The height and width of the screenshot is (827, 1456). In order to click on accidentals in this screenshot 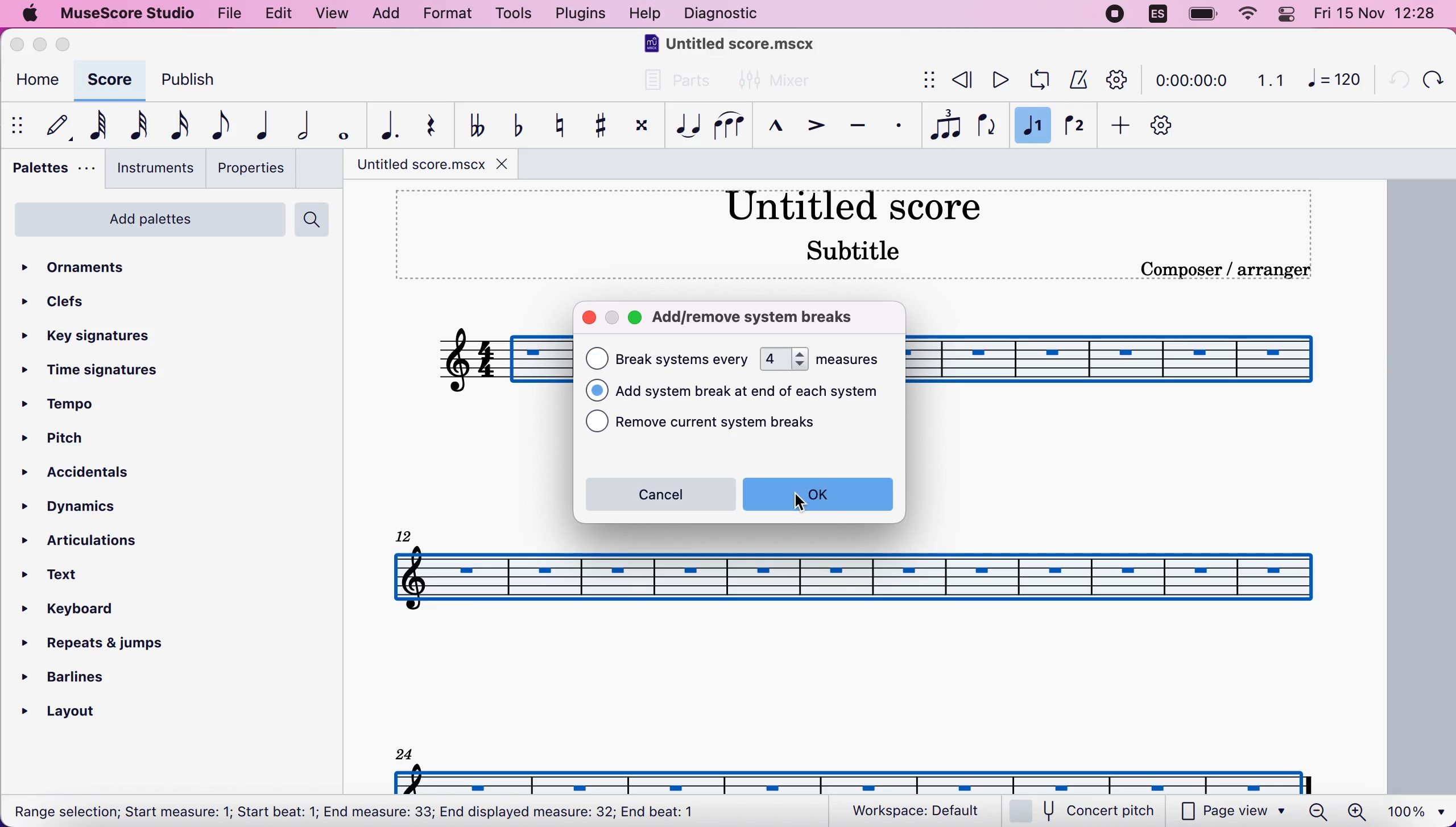, I will do `click(105, 474)`.